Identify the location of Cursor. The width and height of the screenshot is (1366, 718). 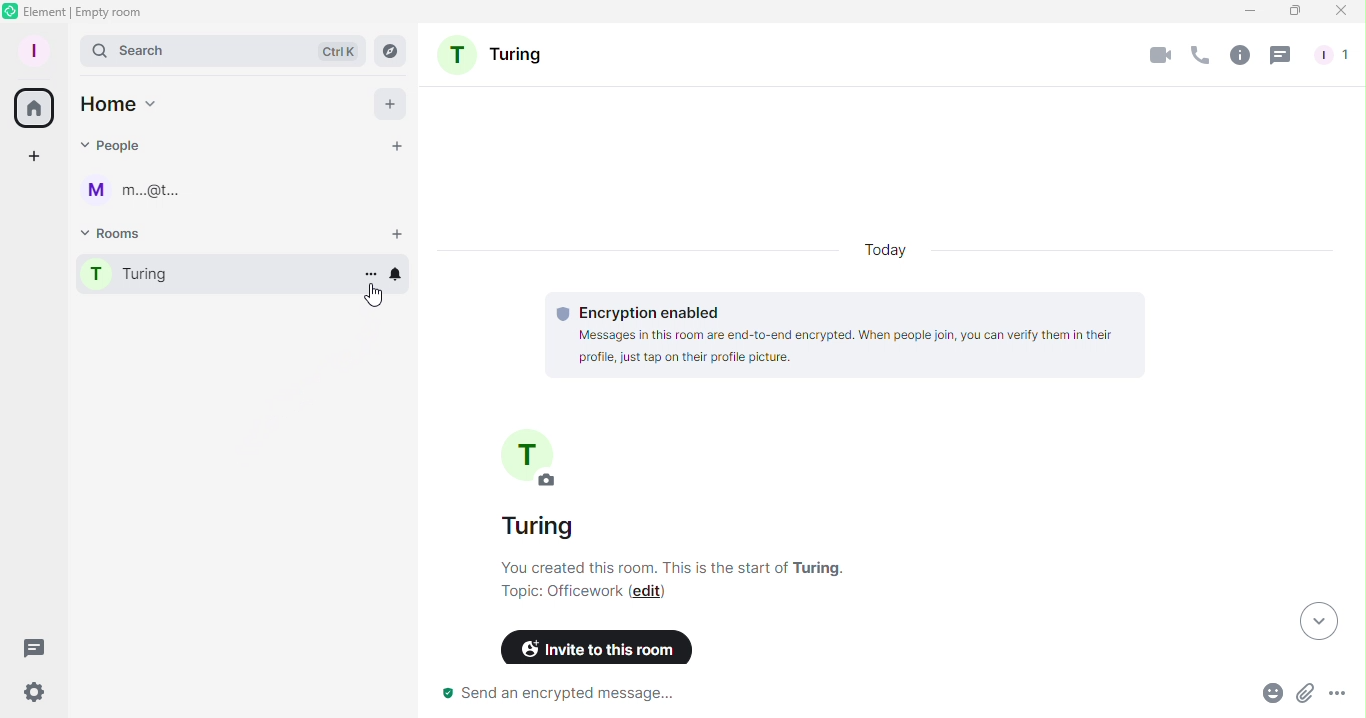
(372, 294).